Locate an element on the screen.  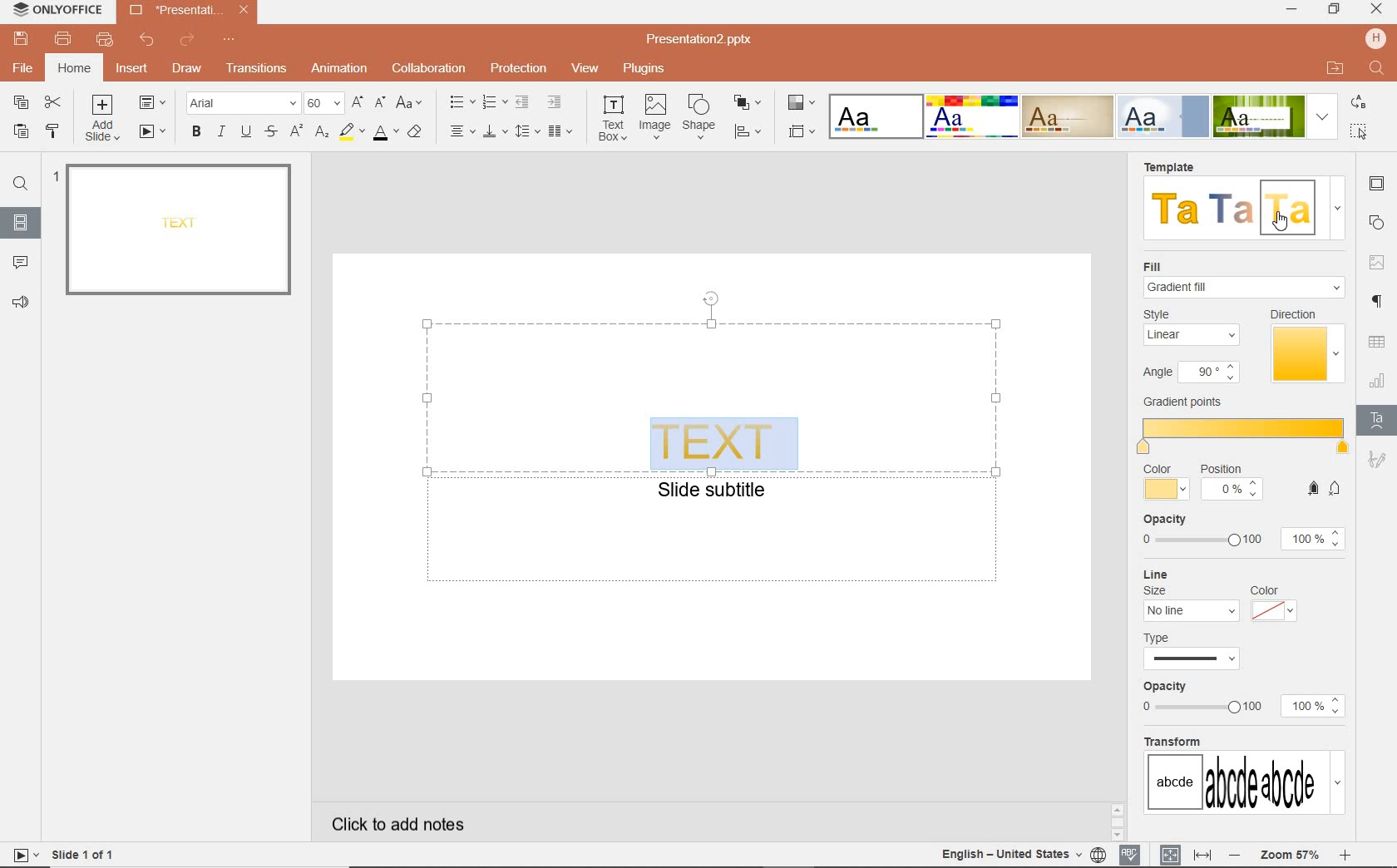
line size is located at coordinates (1189, 606).